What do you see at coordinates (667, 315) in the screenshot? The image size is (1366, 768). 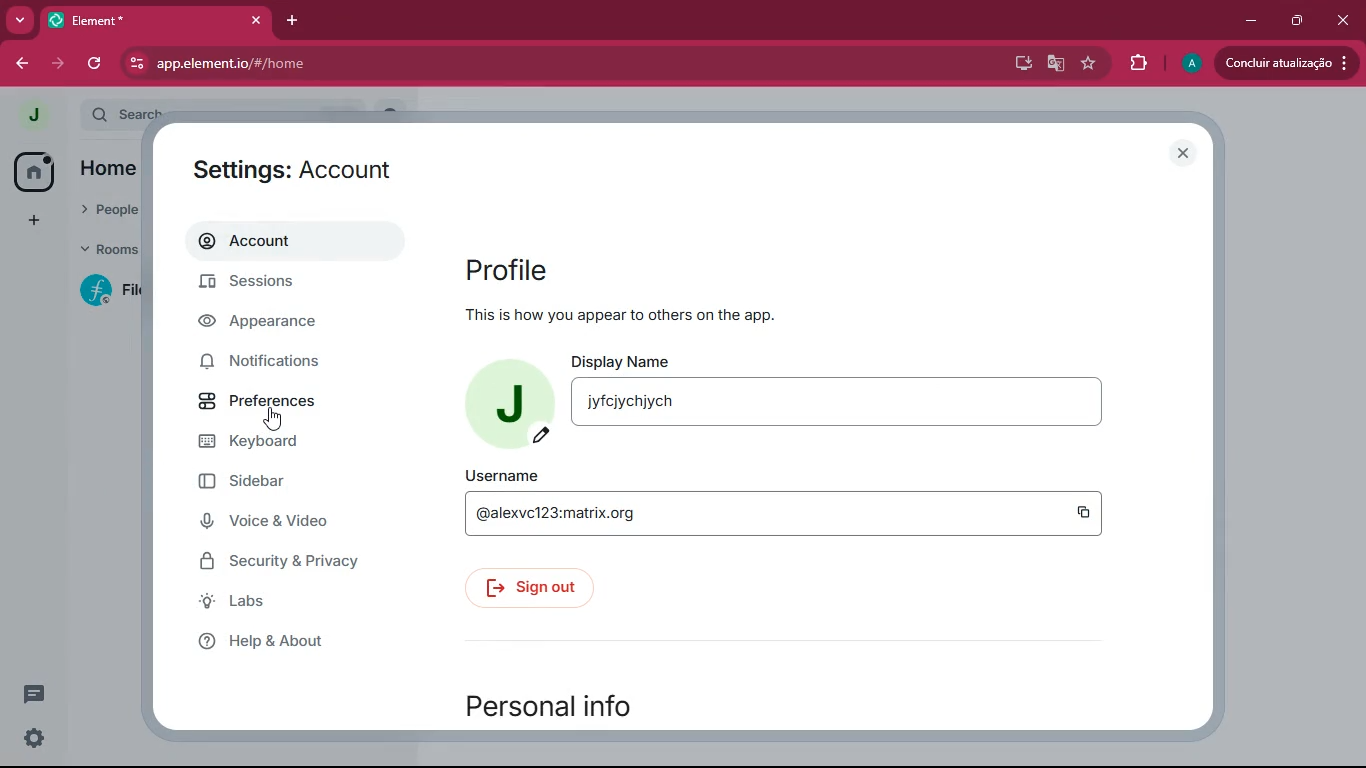 I see `this is how you appear to others or the app.` at bounding box center [667, 315].